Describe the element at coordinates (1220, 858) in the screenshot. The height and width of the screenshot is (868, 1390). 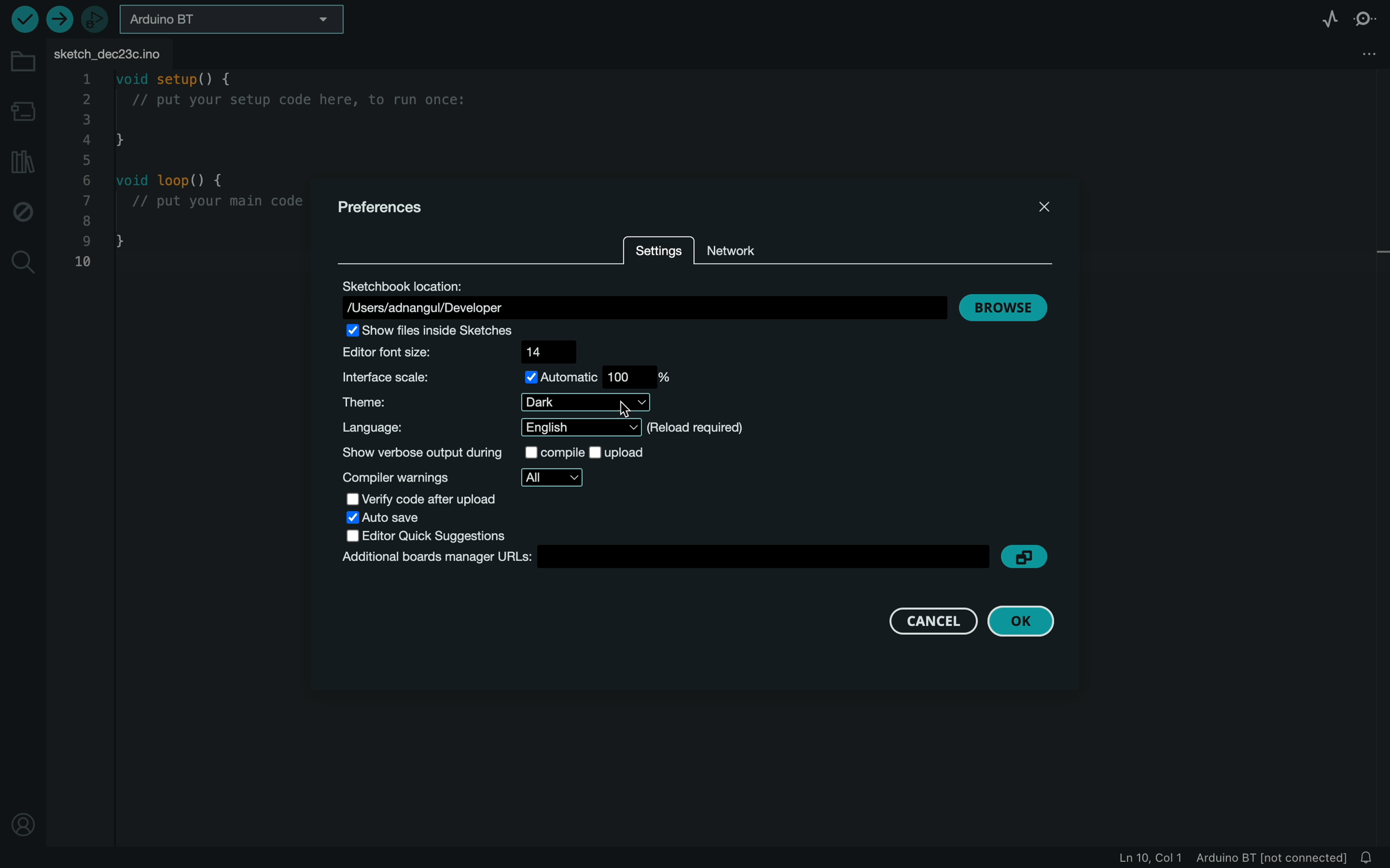
I see `file imformation` at that location.